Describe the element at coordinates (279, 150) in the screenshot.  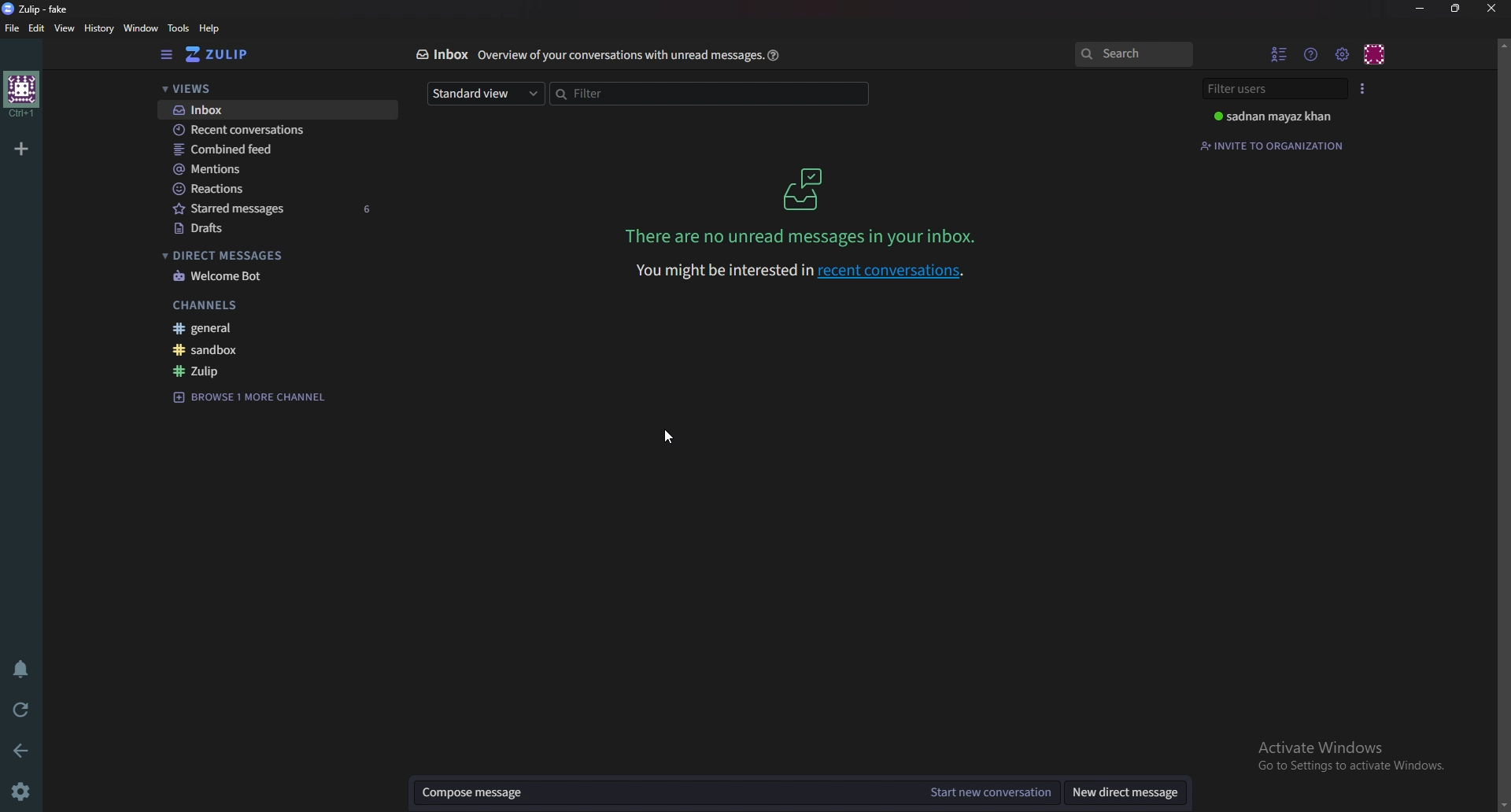
I see `Combined feed` at that location.